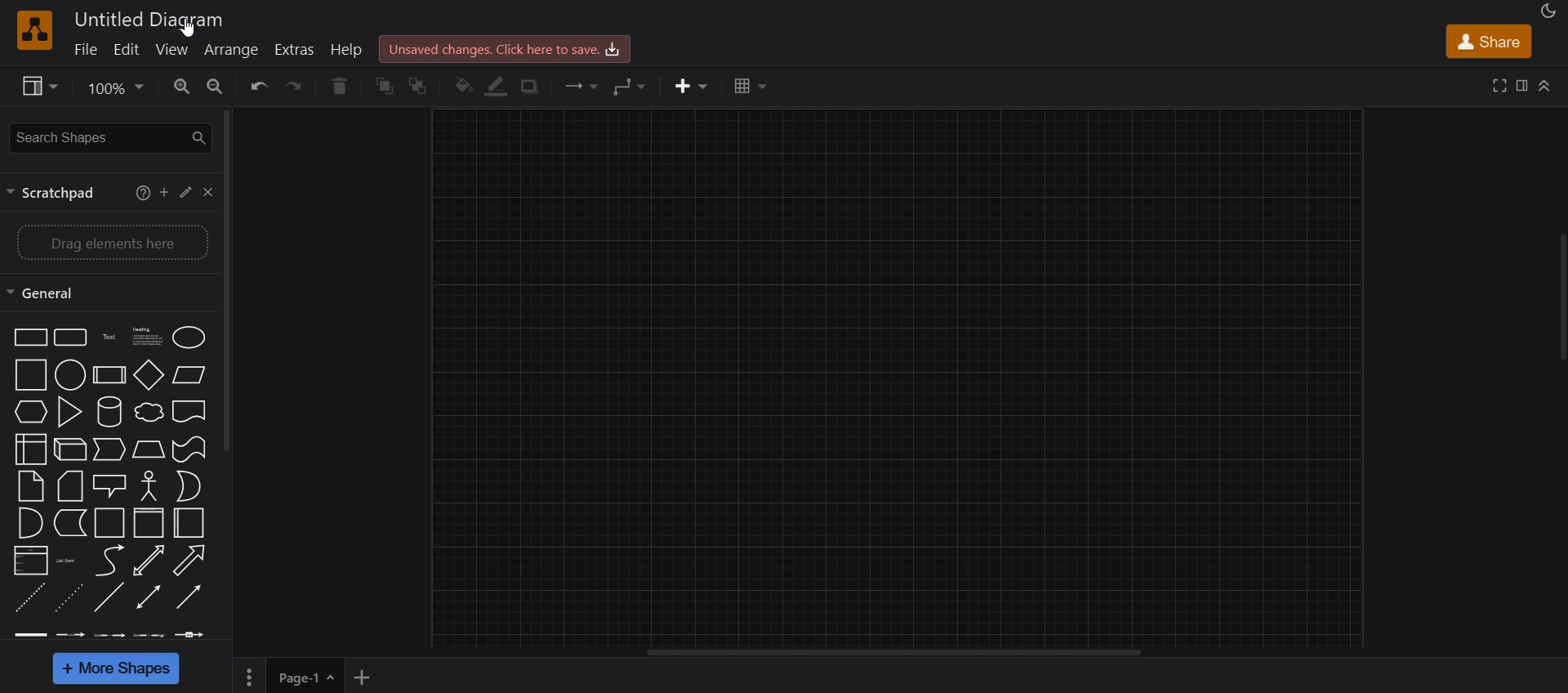 The image size is (1568, 693). What do you see at coordinates (251, 677) in the screenshot?
I see `pages` at bounding box center [251, 677].